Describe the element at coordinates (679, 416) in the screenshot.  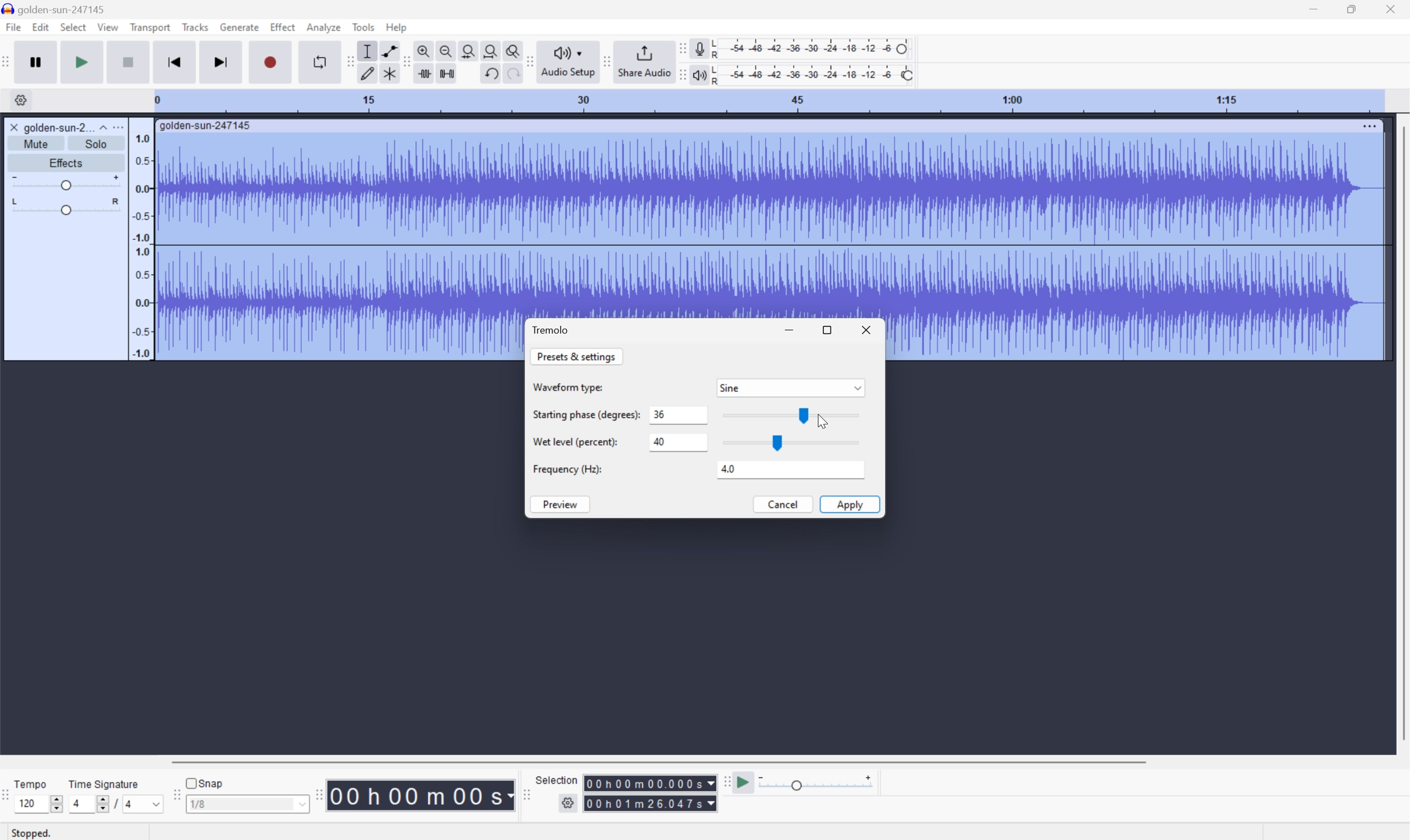
I see `0` at that location.